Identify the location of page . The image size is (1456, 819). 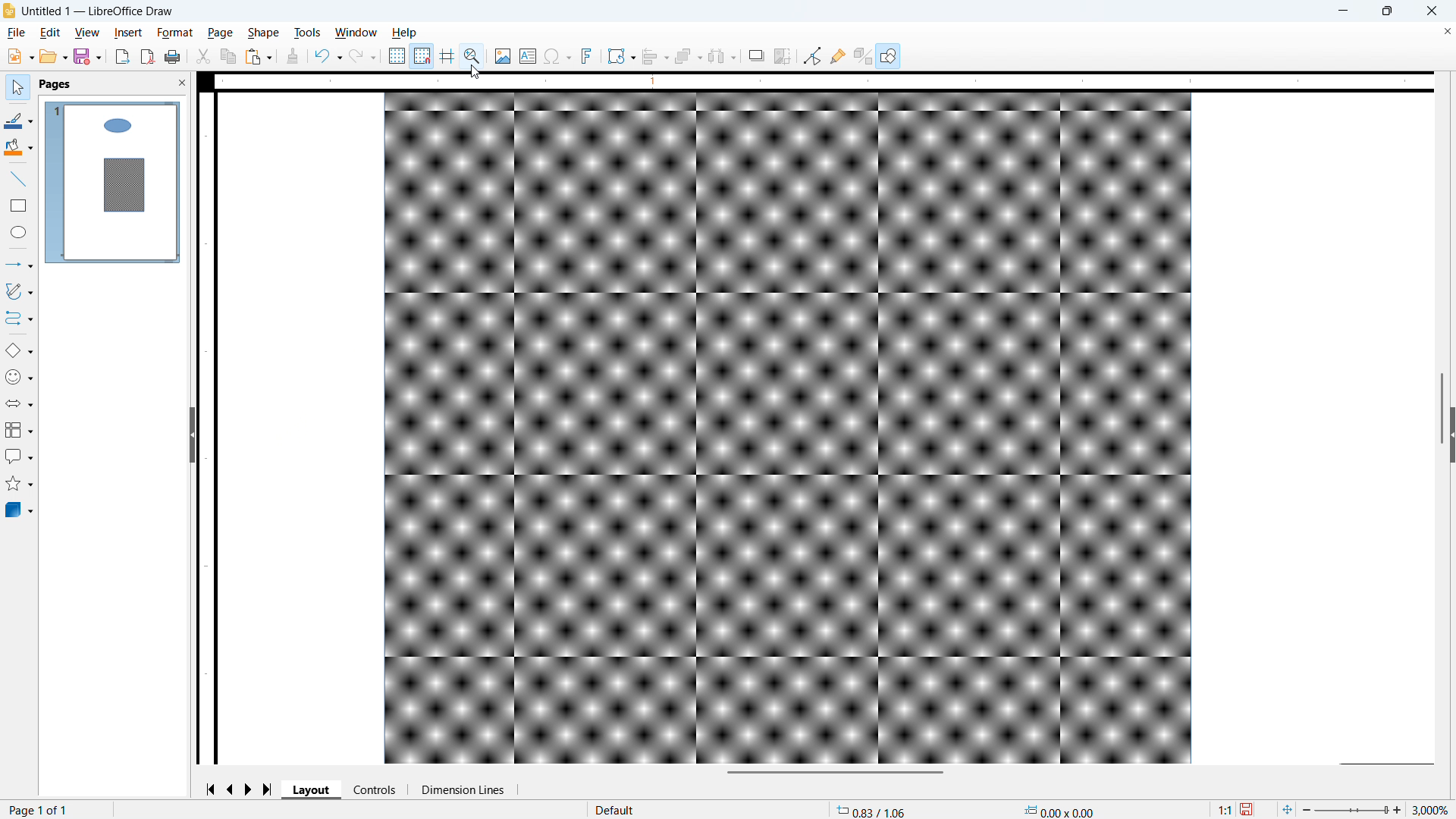
(220, 33).